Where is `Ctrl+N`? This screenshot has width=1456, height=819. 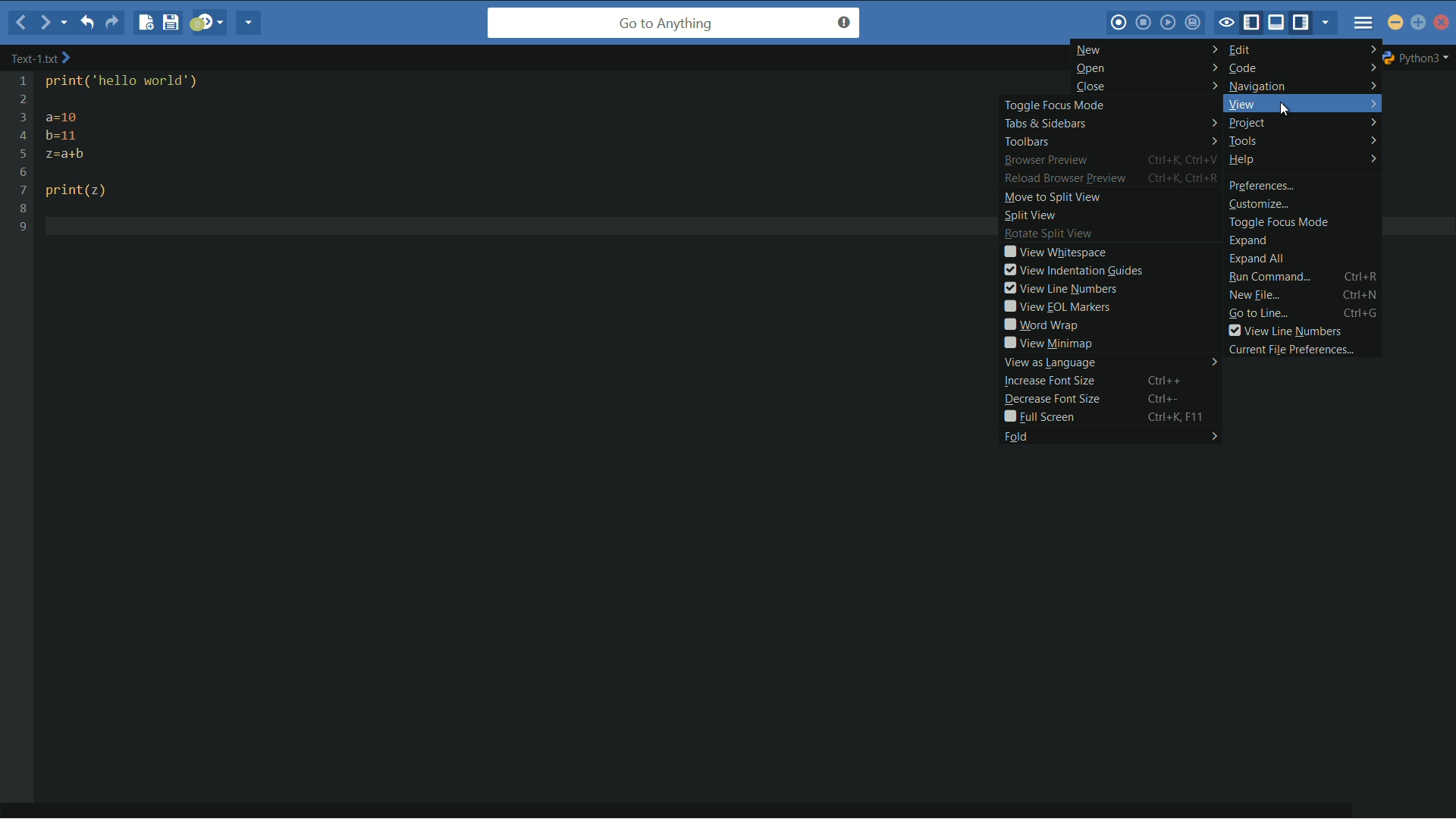 Ctrl+N is located at coordinates (1363, 294).